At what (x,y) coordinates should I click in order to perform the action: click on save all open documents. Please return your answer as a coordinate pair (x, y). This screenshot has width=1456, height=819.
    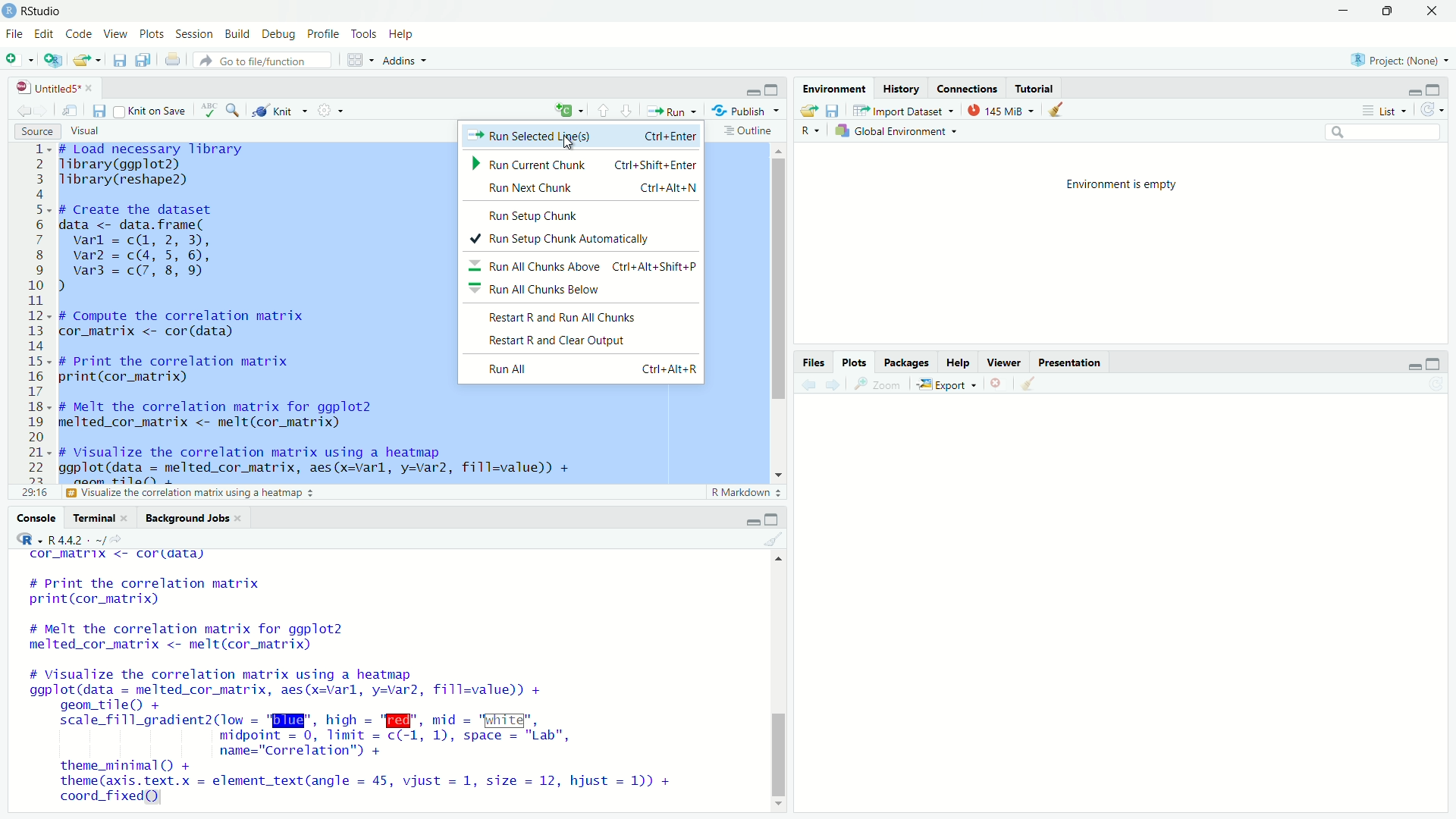
    Looking at the image, I should click on (146, 59).